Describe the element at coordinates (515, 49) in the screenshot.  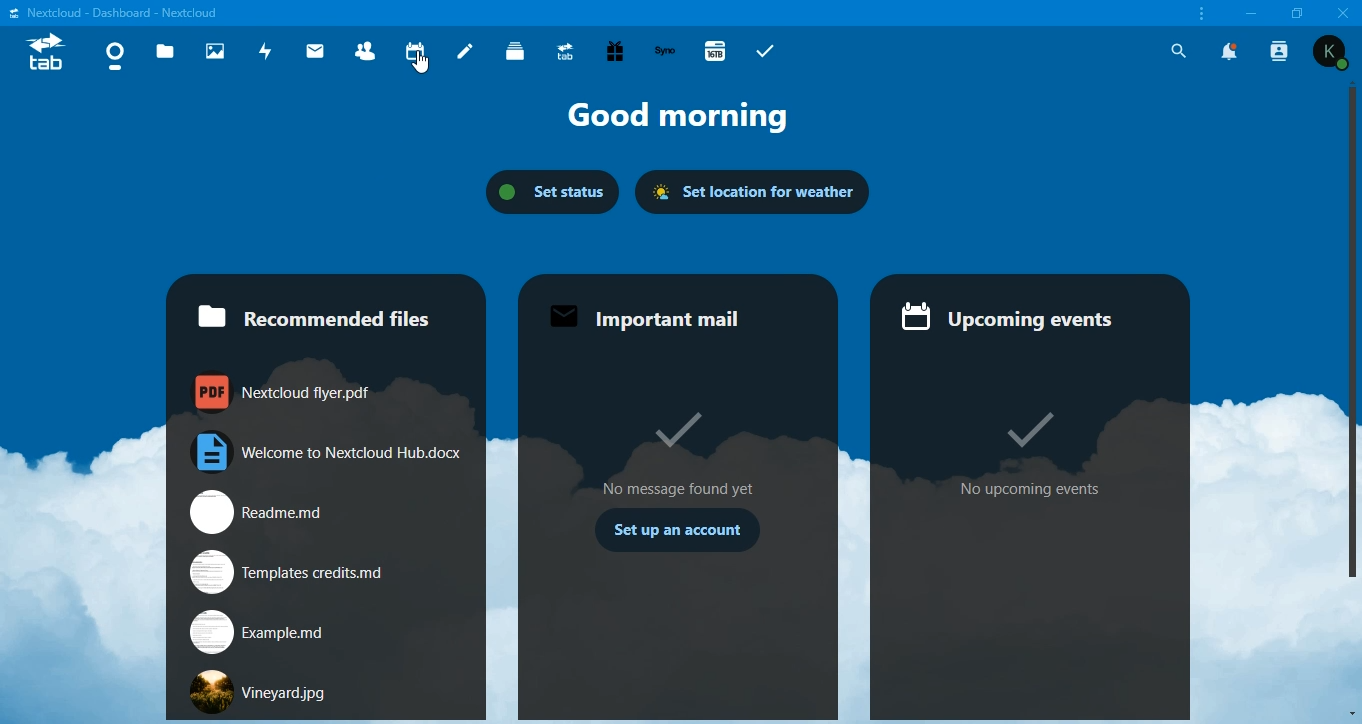
I see `deck` at that location.